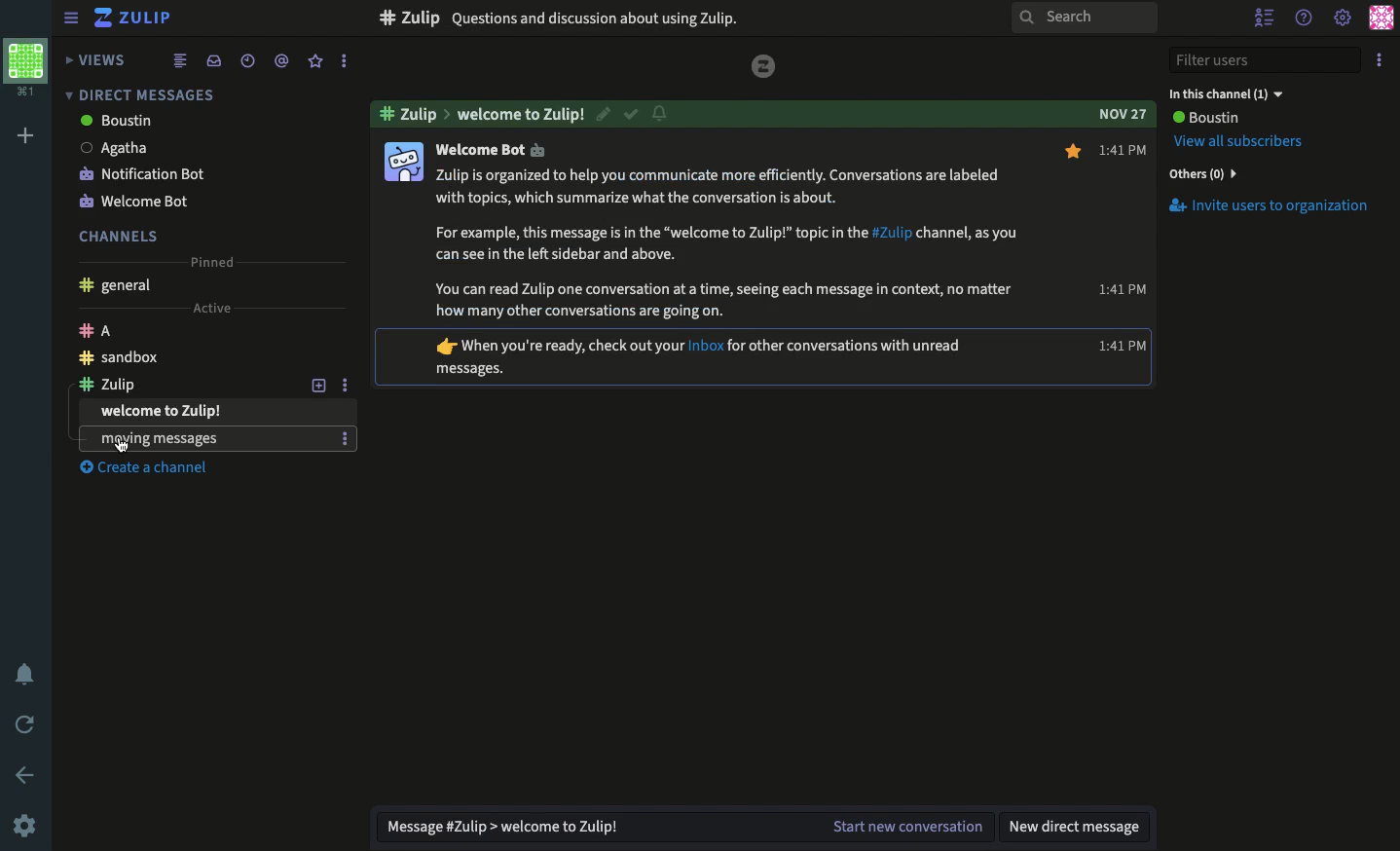 The image size is (1400, 851). Describe the element at coordinates (1266, 61) in the screenshot. I see `Filter users` at that location.